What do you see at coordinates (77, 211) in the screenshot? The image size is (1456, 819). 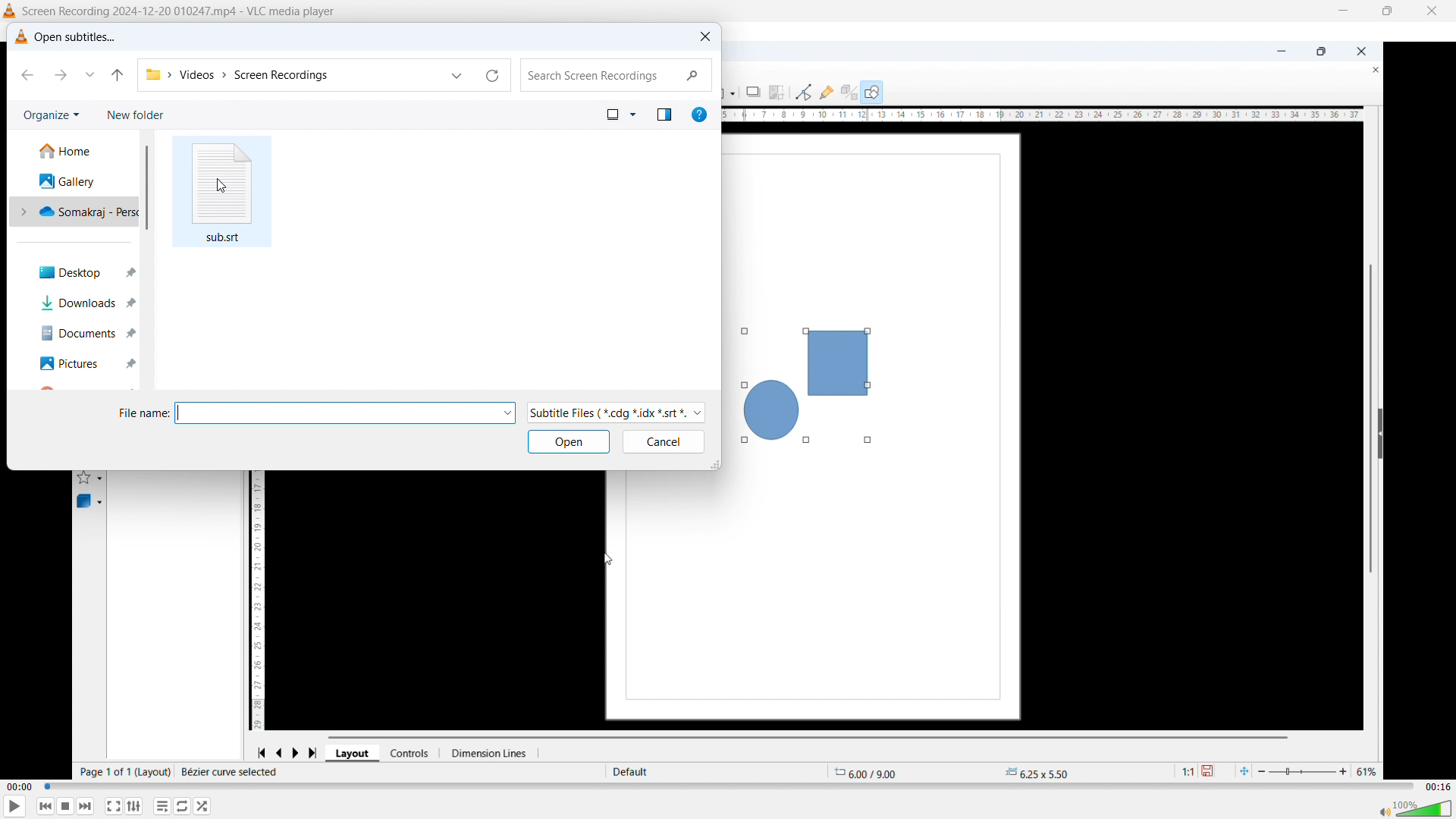 I see `Cloud folder ` at bounding box center [77, 211].